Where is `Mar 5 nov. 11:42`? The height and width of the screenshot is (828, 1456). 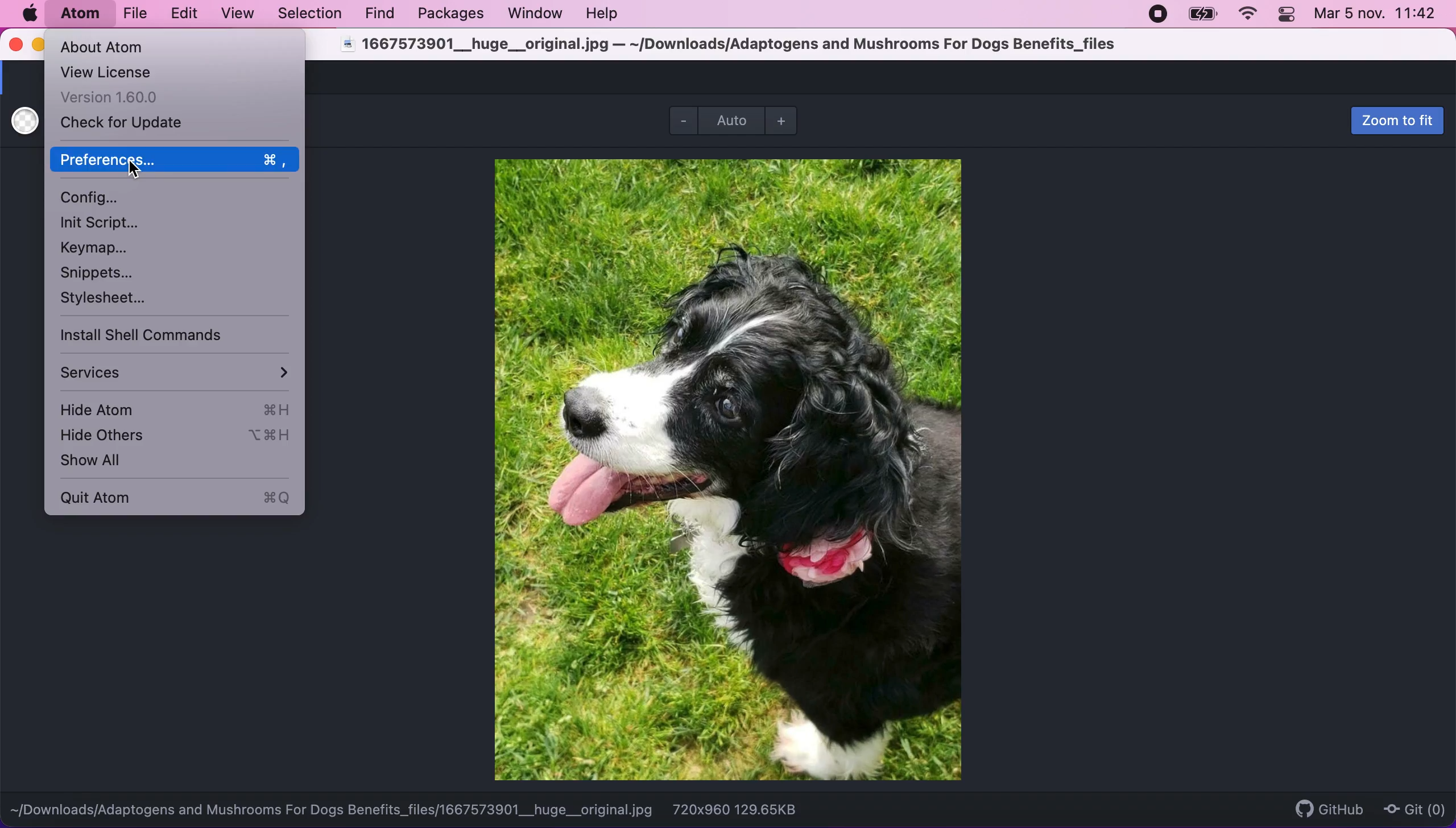
Mar 5 nov. 11:42 is located at coordinates (1378, 16).